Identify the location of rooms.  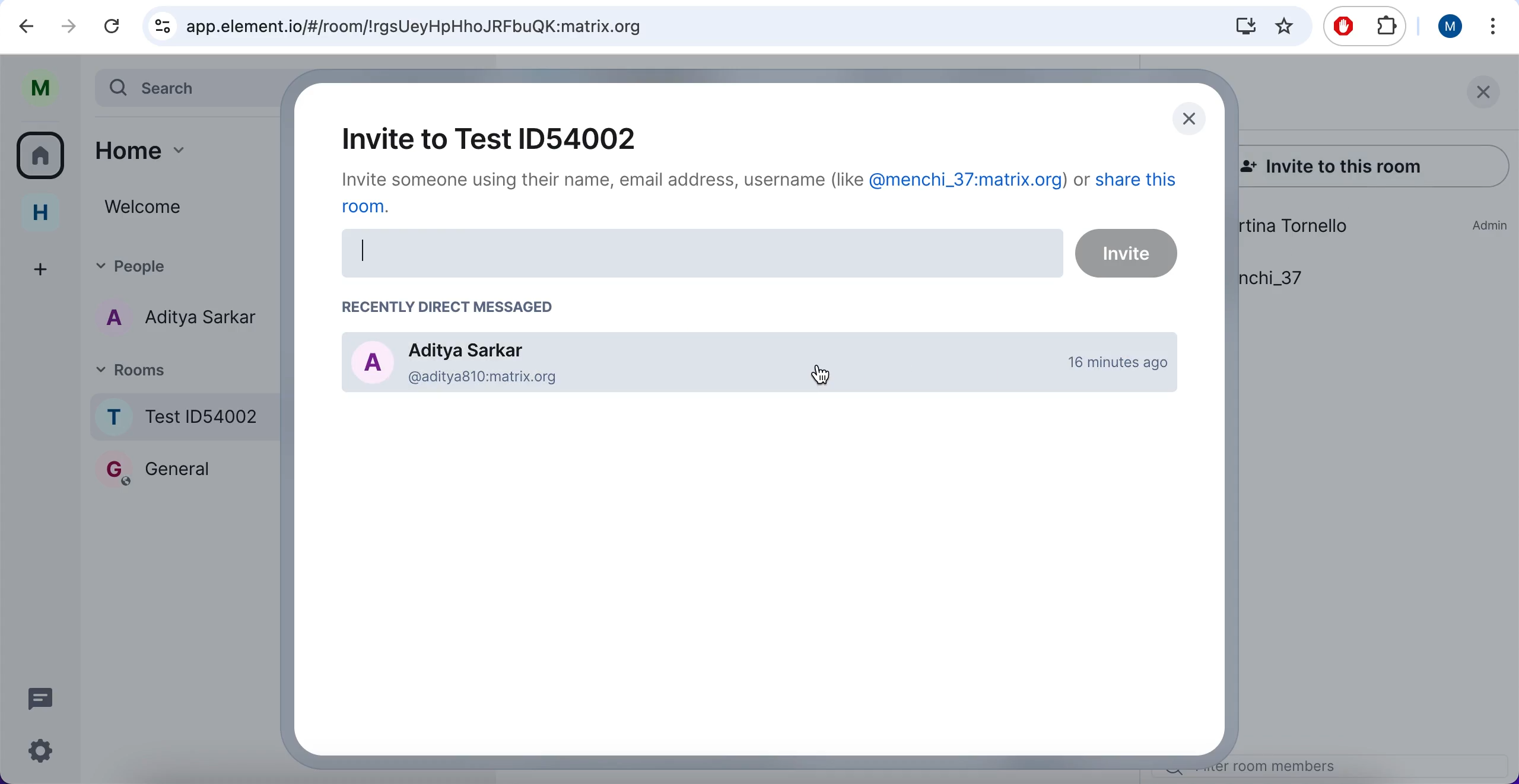
(182, 367).